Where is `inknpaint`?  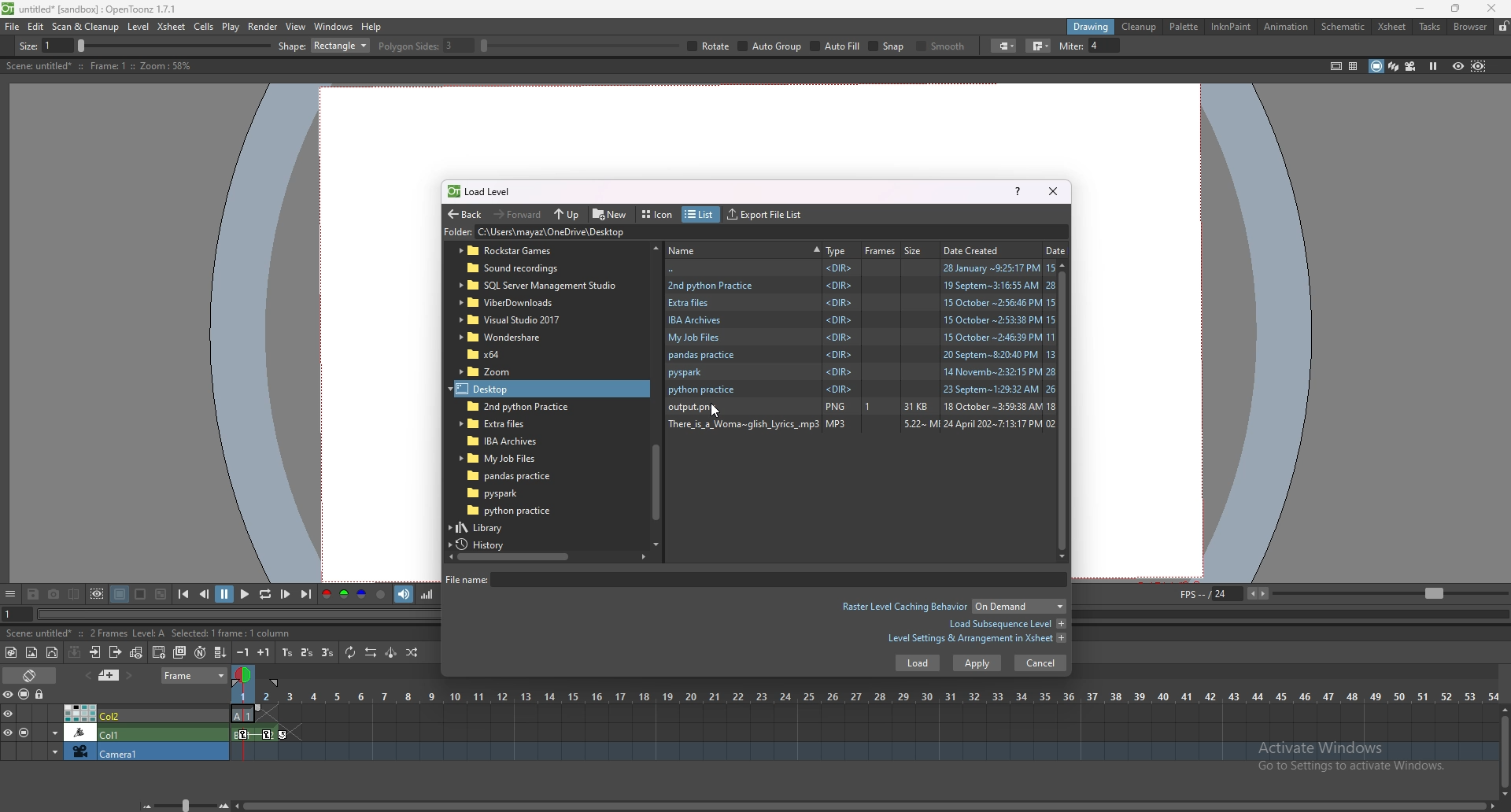 inknpaint is located at coordinates (1231, 27).